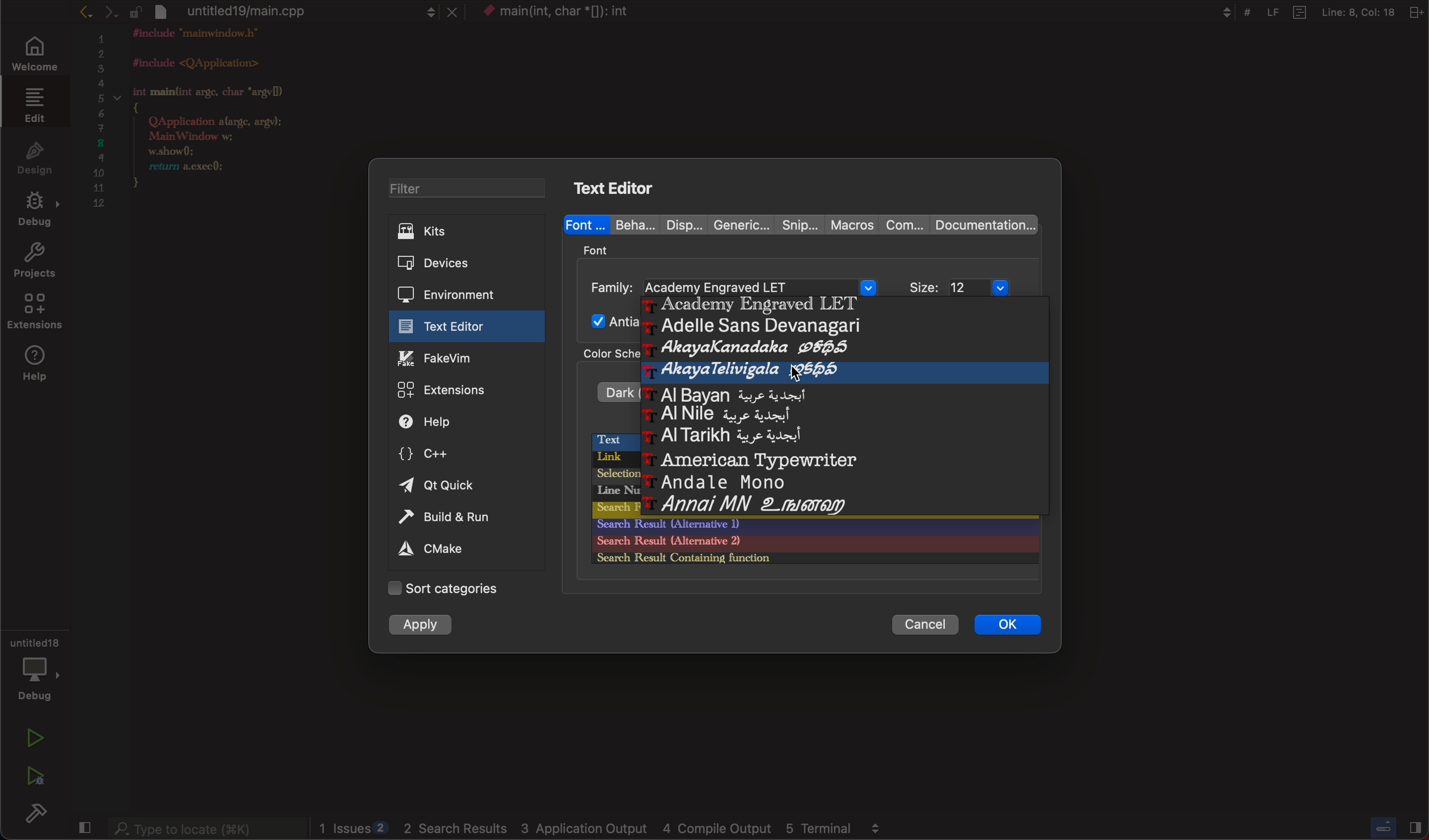 The width and height of the screenshot is (1429, 840). I want to click on design, so click(32, 160).